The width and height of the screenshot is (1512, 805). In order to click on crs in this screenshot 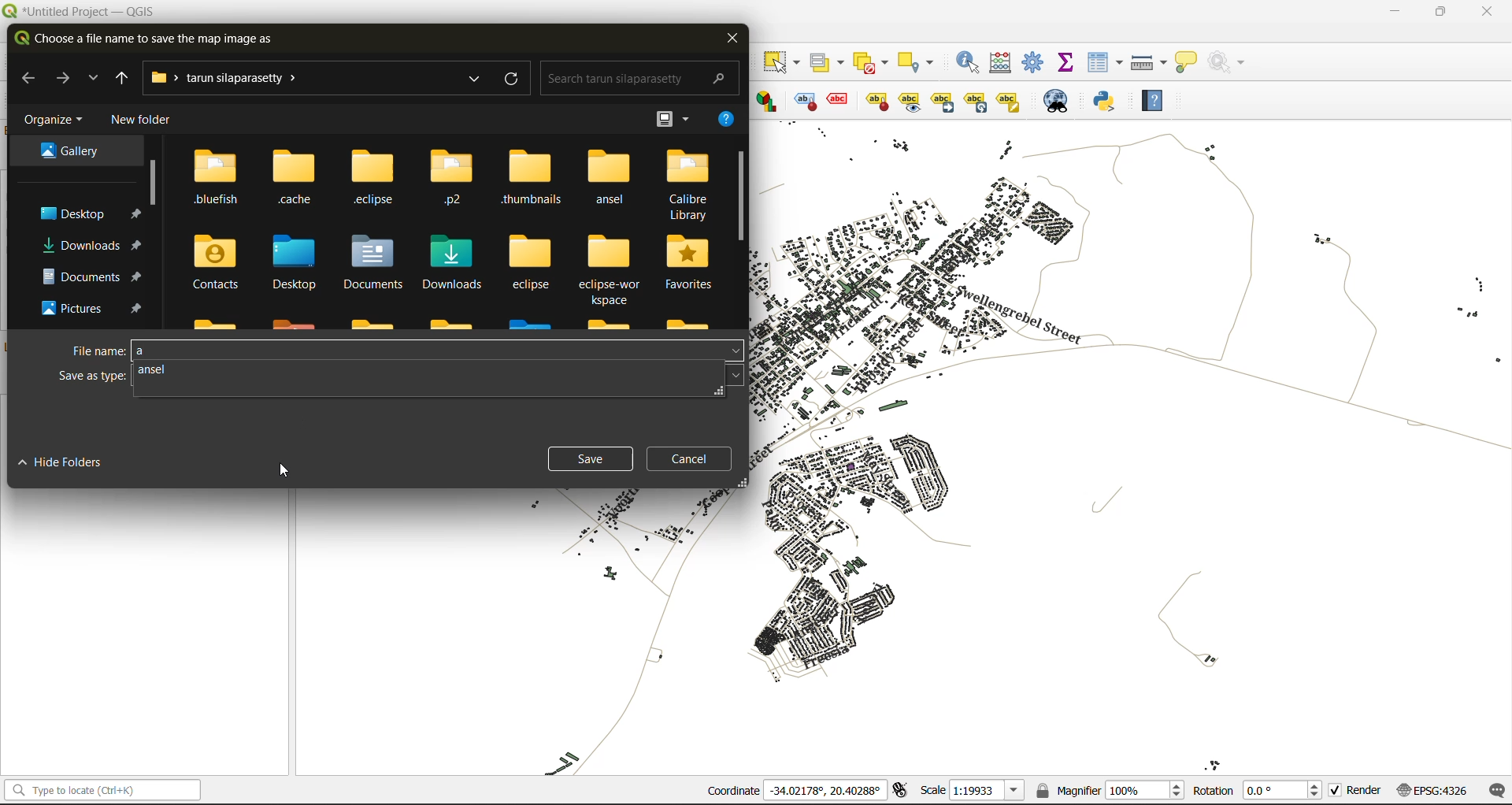, I will do `click(1428, 788)`.